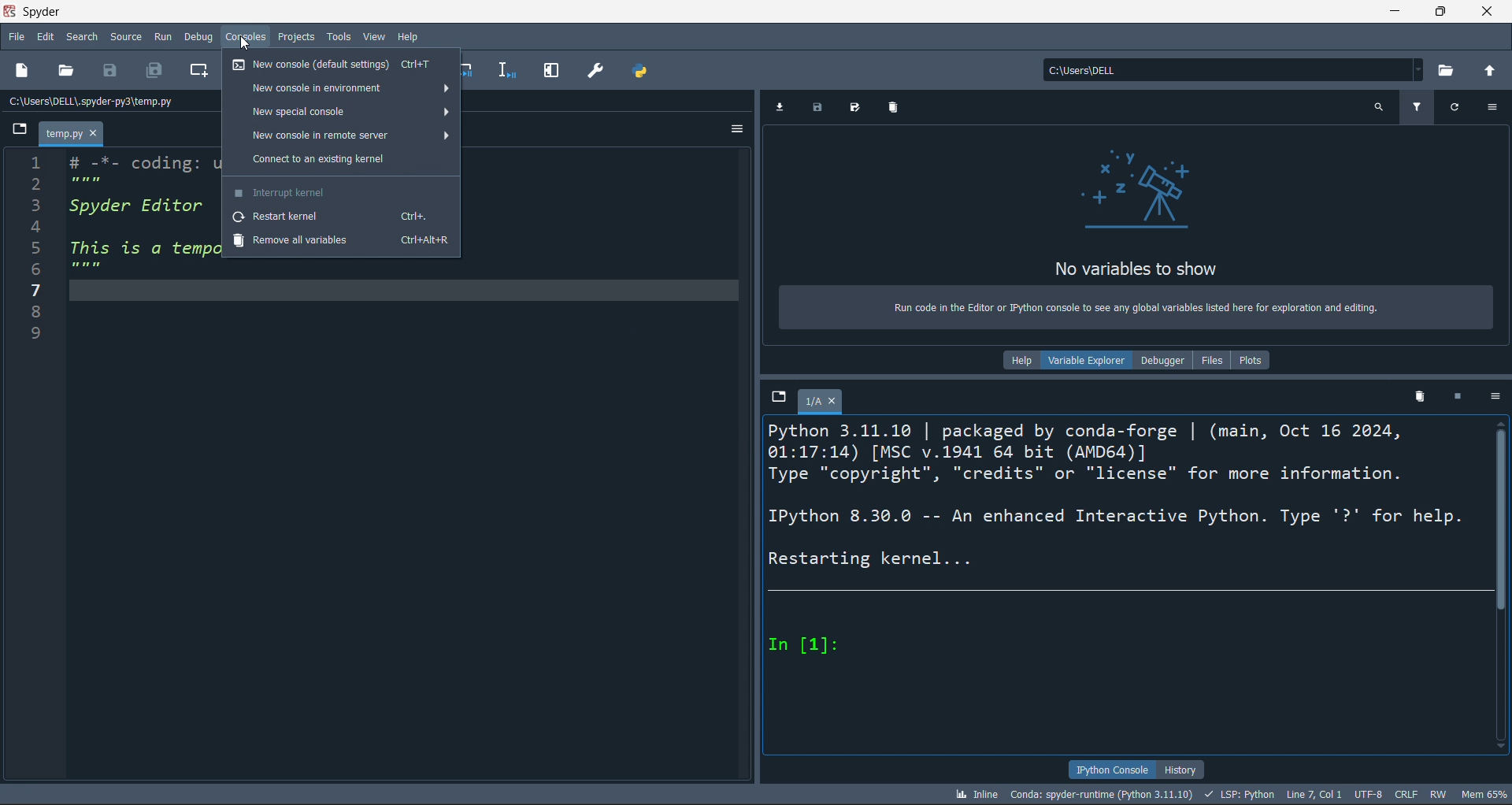 The height and width of the screenshot is (805, 1512). I want to click on spyder logo, so click(13, 12).